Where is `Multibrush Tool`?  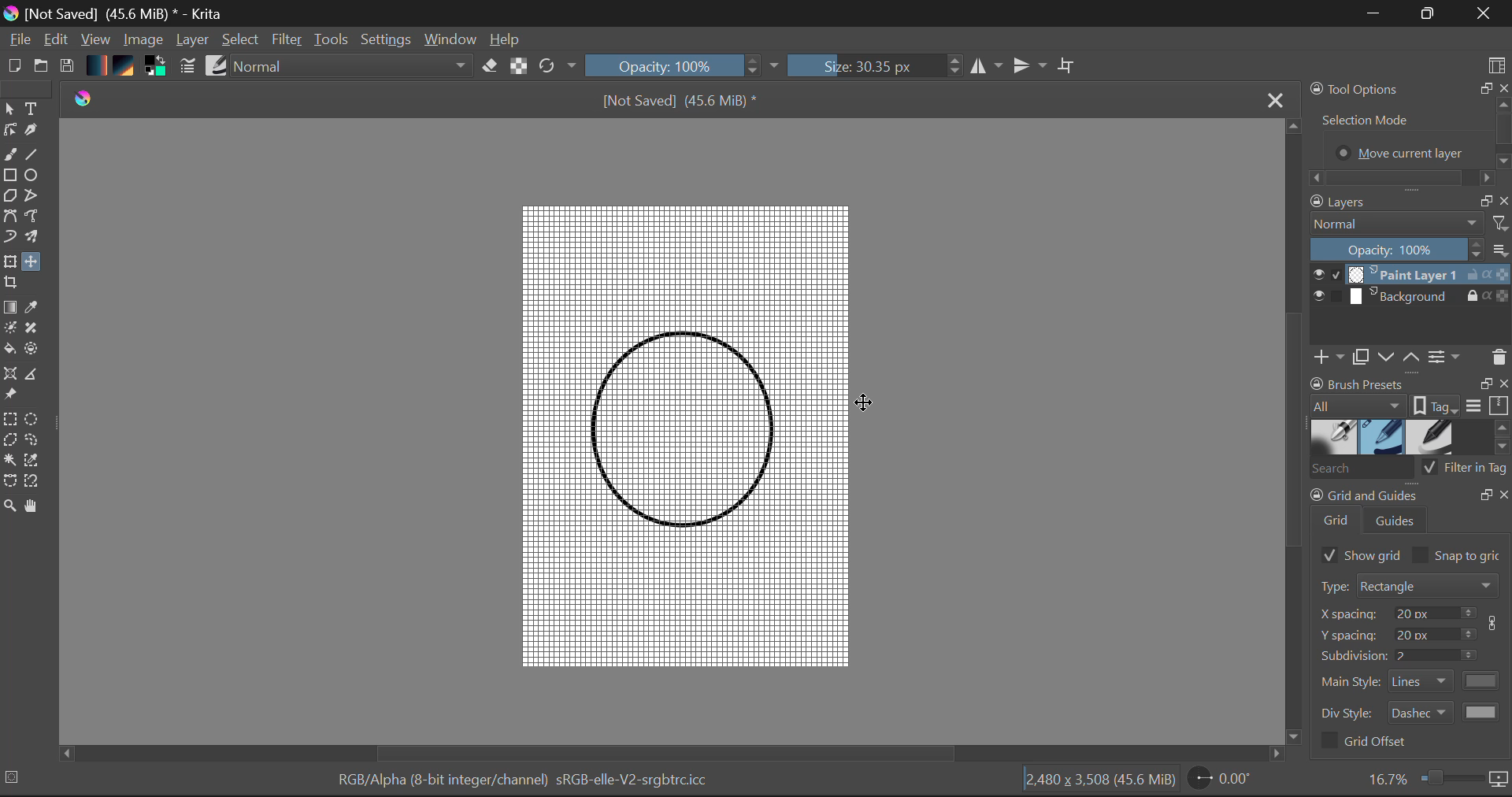
Multibrush Tool is located at coordinates (38, 240).